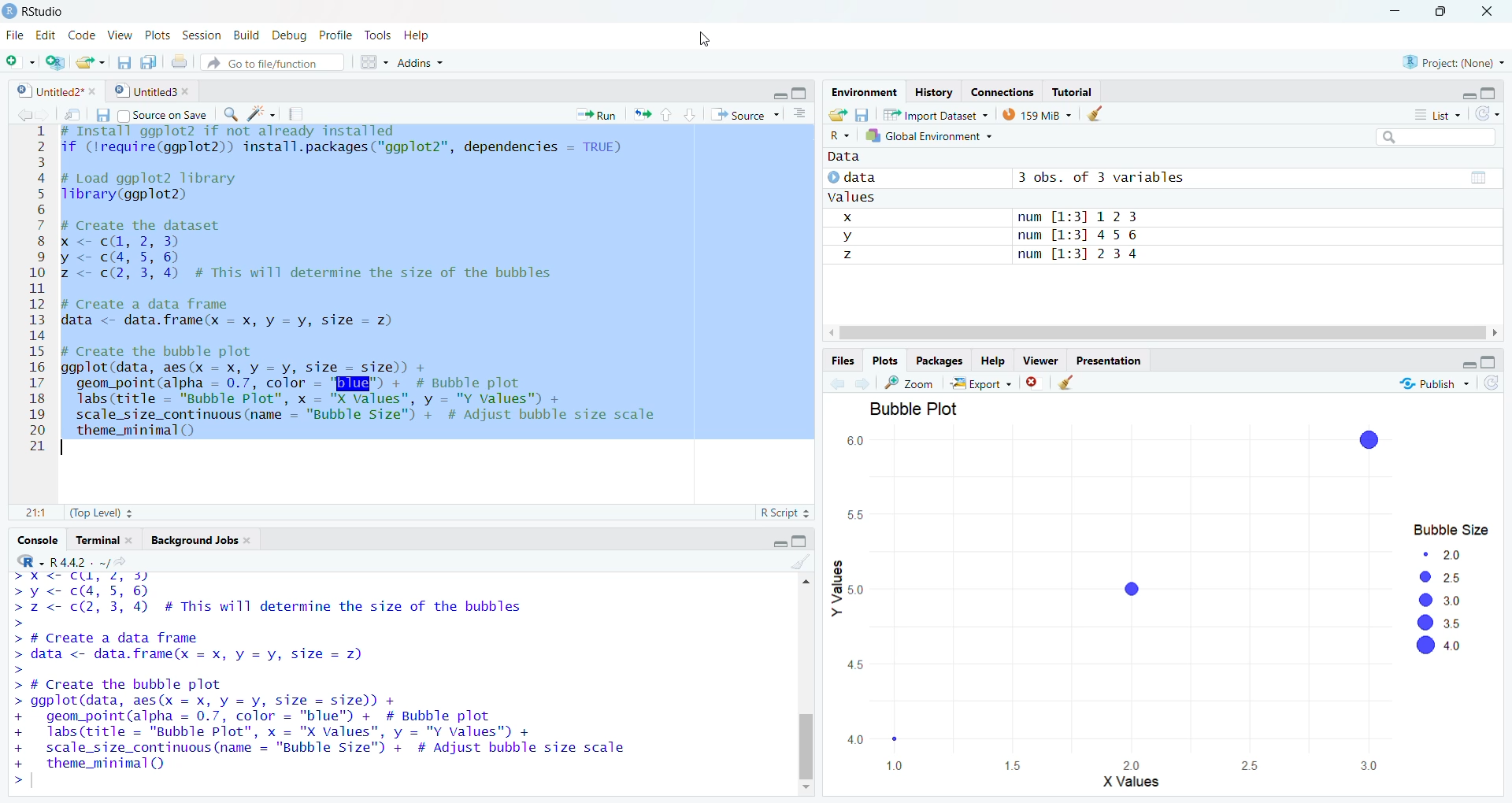  What do you see at coordinates (466, 61) in the screenshot?
I see `Addins ` at bounding box center [466, 61].